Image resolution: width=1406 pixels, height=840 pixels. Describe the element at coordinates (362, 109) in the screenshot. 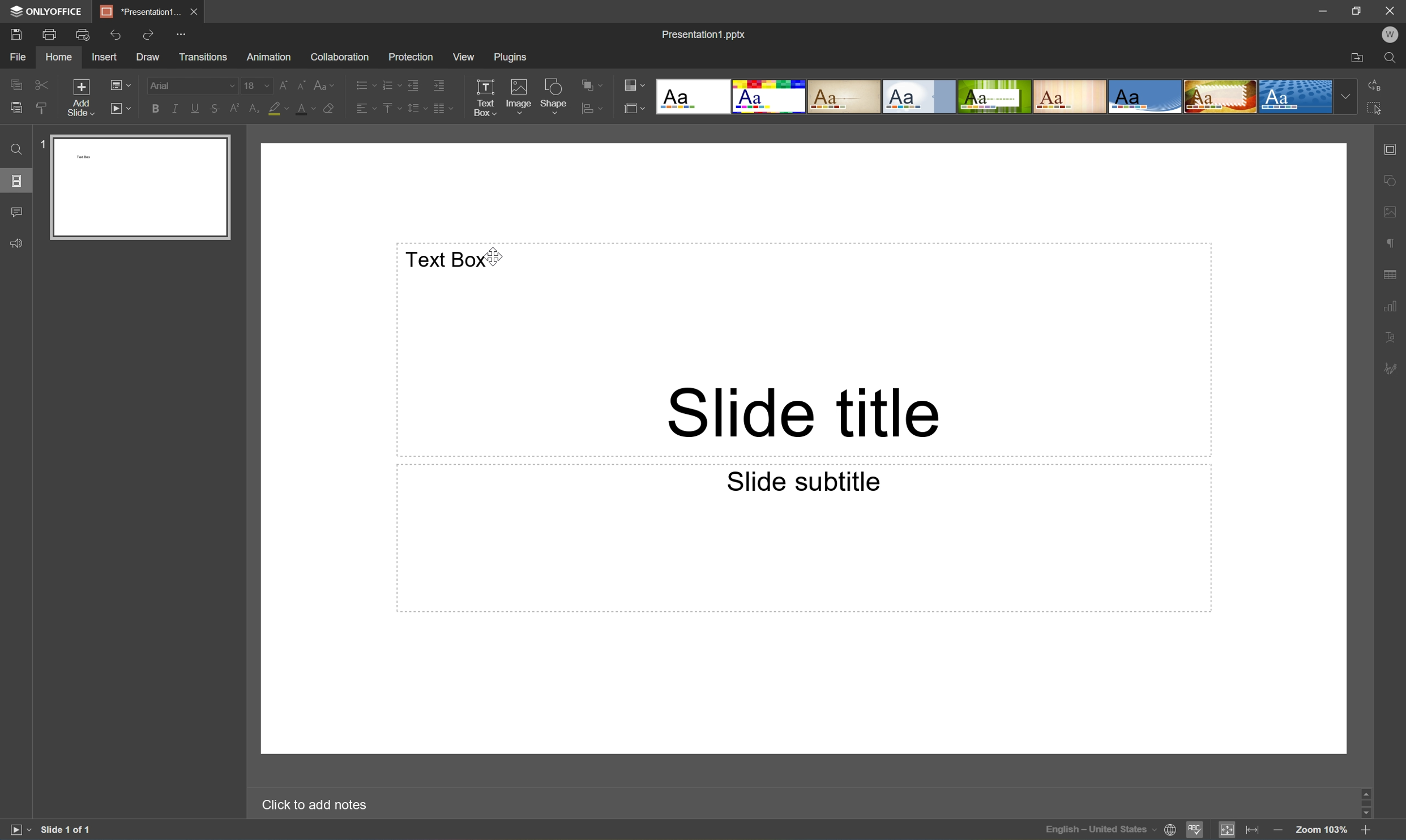

I see `Horizontally align` at that location.